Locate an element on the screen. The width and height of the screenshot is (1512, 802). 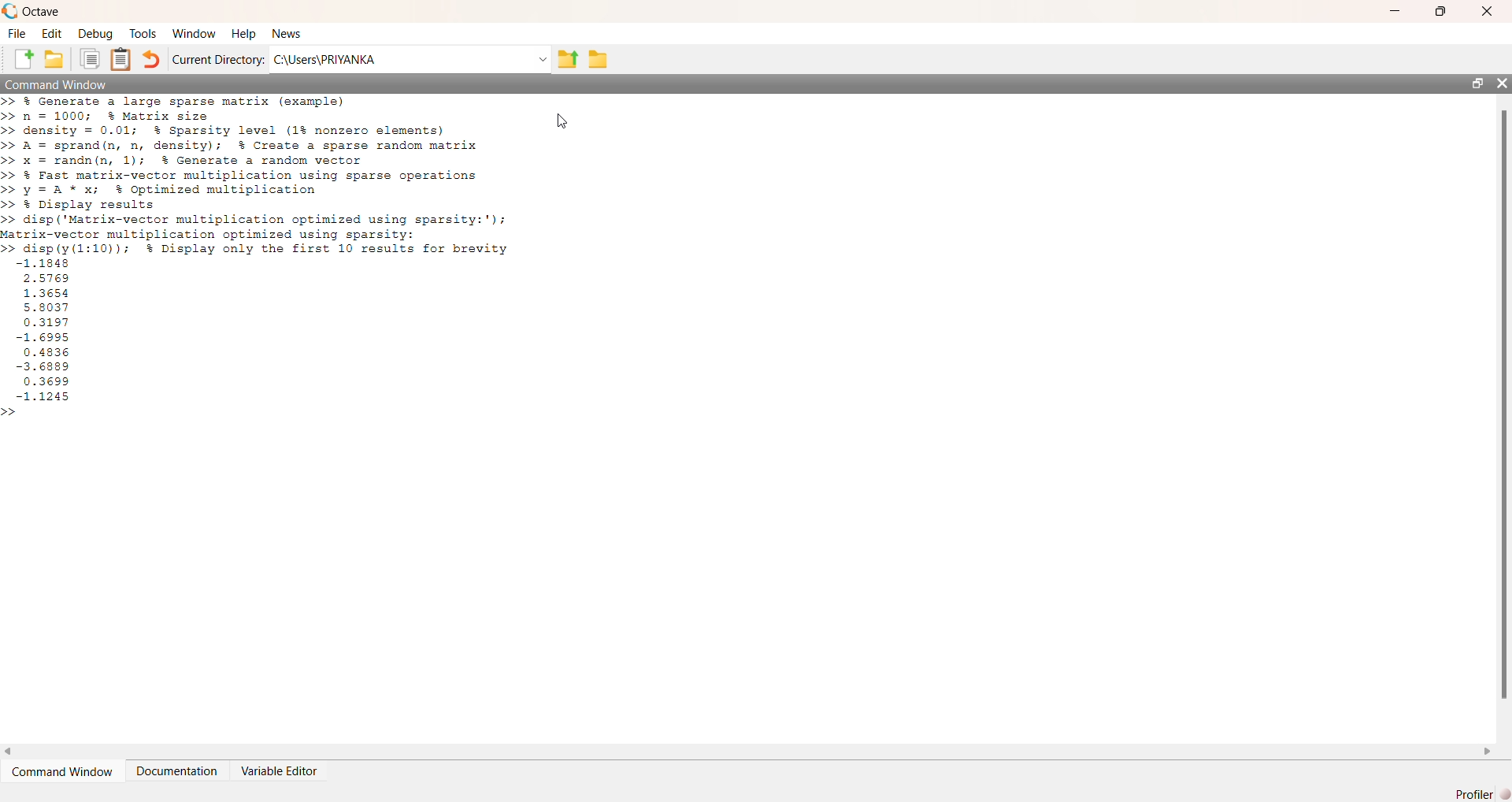
paste is located at coordinates (121, 60).